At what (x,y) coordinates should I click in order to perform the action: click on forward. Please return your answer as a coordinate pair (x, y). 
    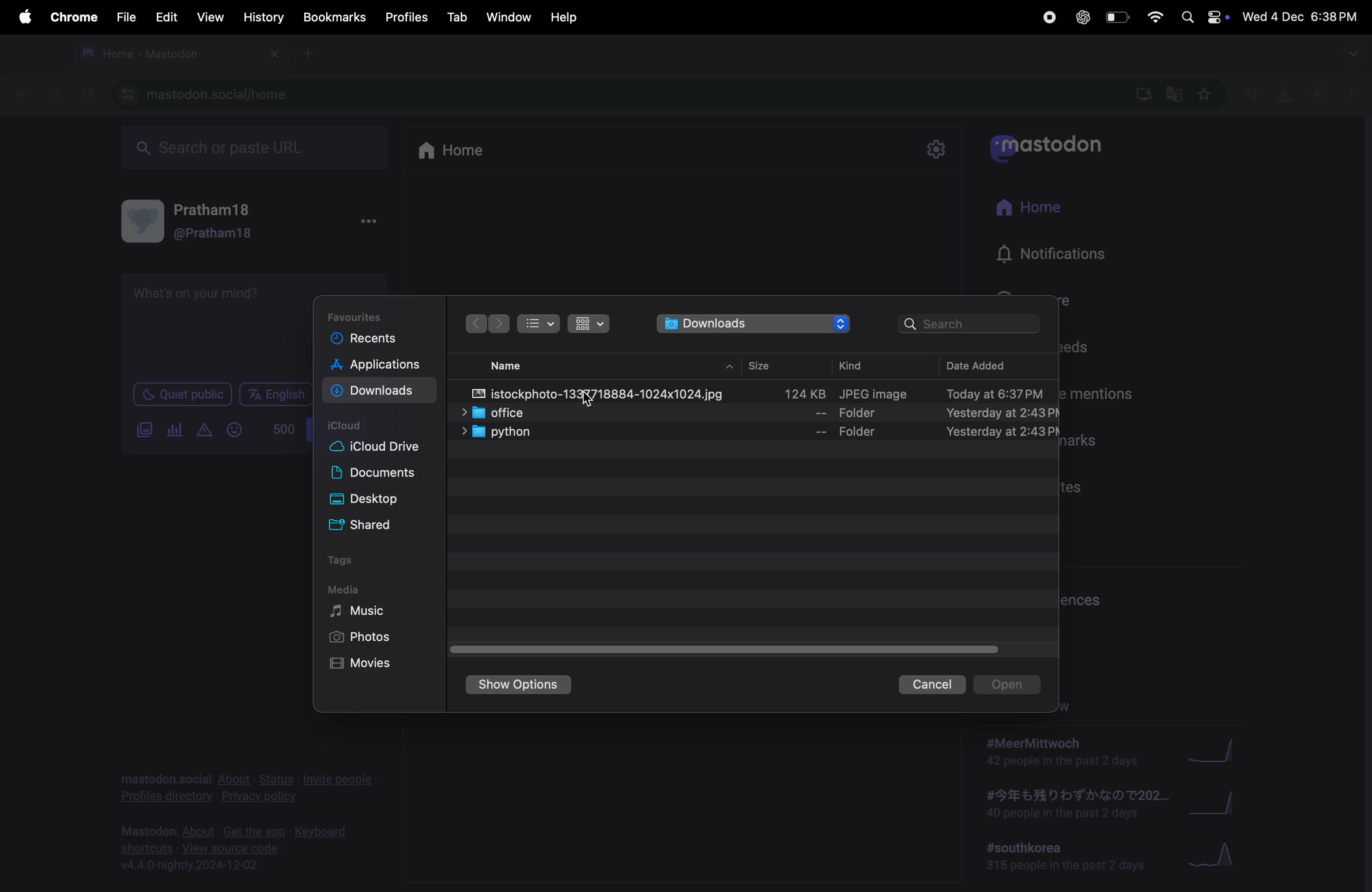
    Looking at the image, I should click on (500, 324).